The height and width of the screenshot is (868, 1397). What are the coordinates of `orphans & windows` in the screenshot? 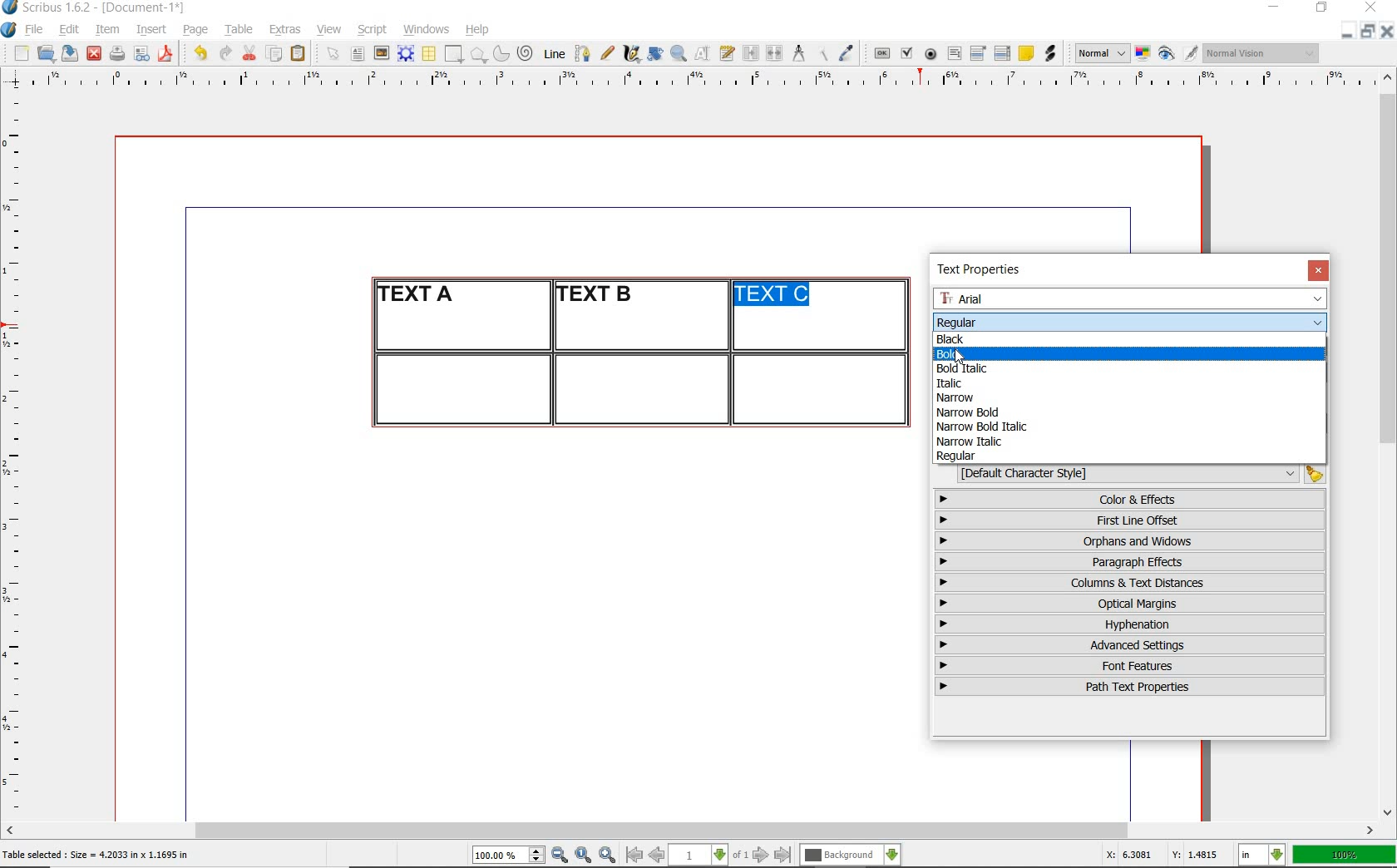 It's located at (1128, 542).